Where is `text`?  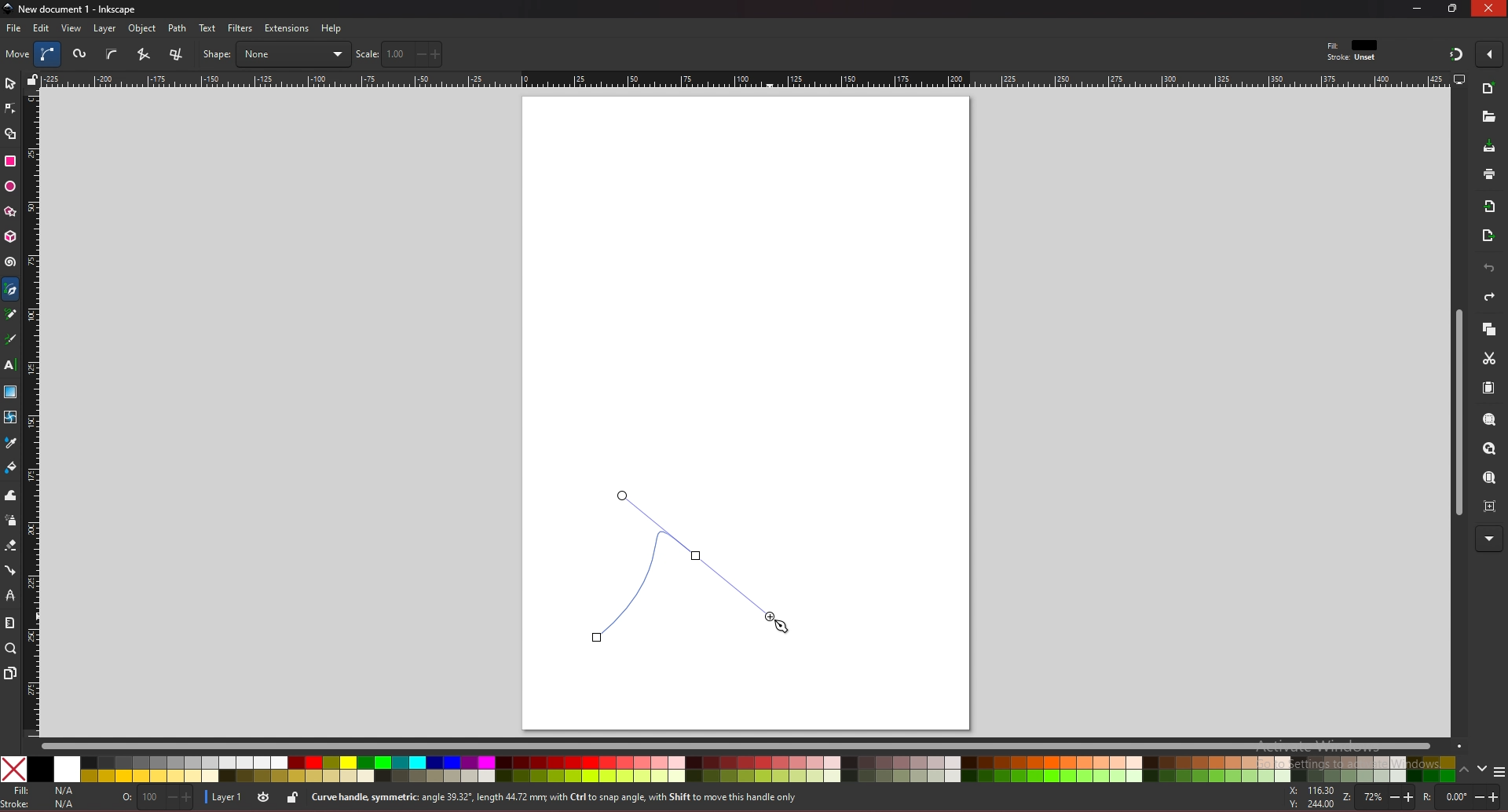
text is located at coordinates (9, 365).